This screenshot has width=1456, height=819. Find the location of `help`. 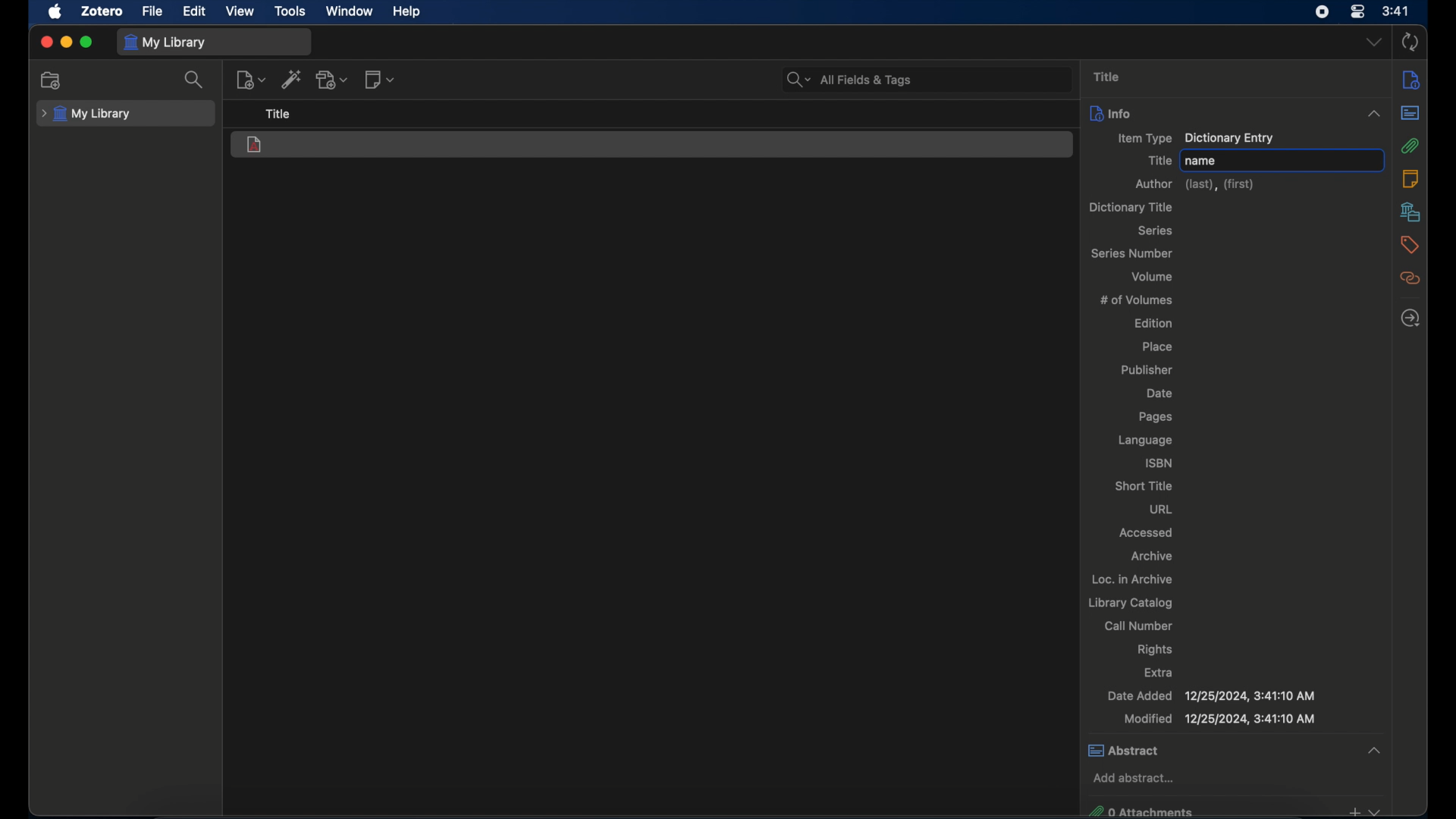

help is located at coordinates (408, 12).